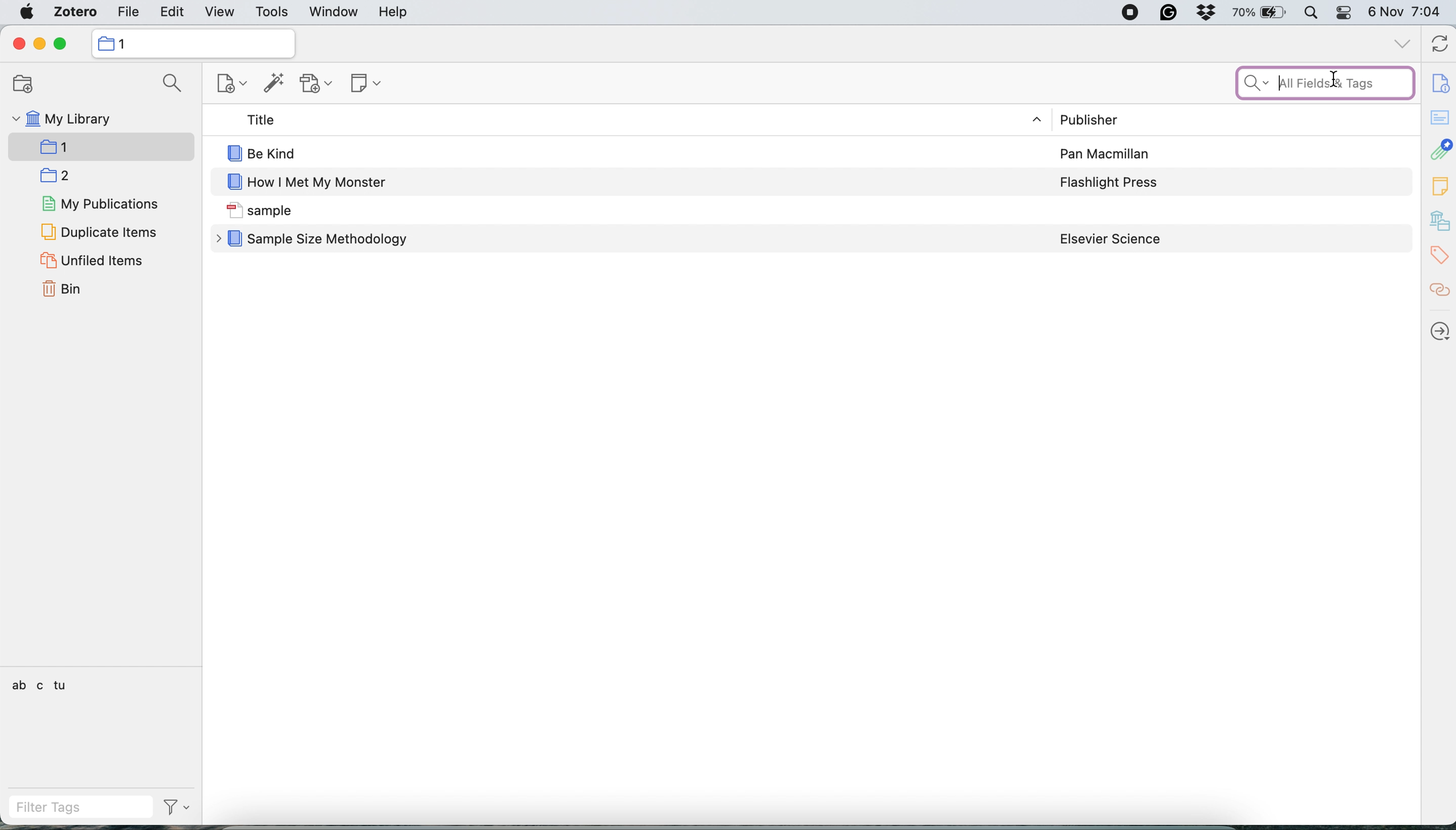 The image size is (1456, 830). I want to click on dropbox, so click(1210, 13).